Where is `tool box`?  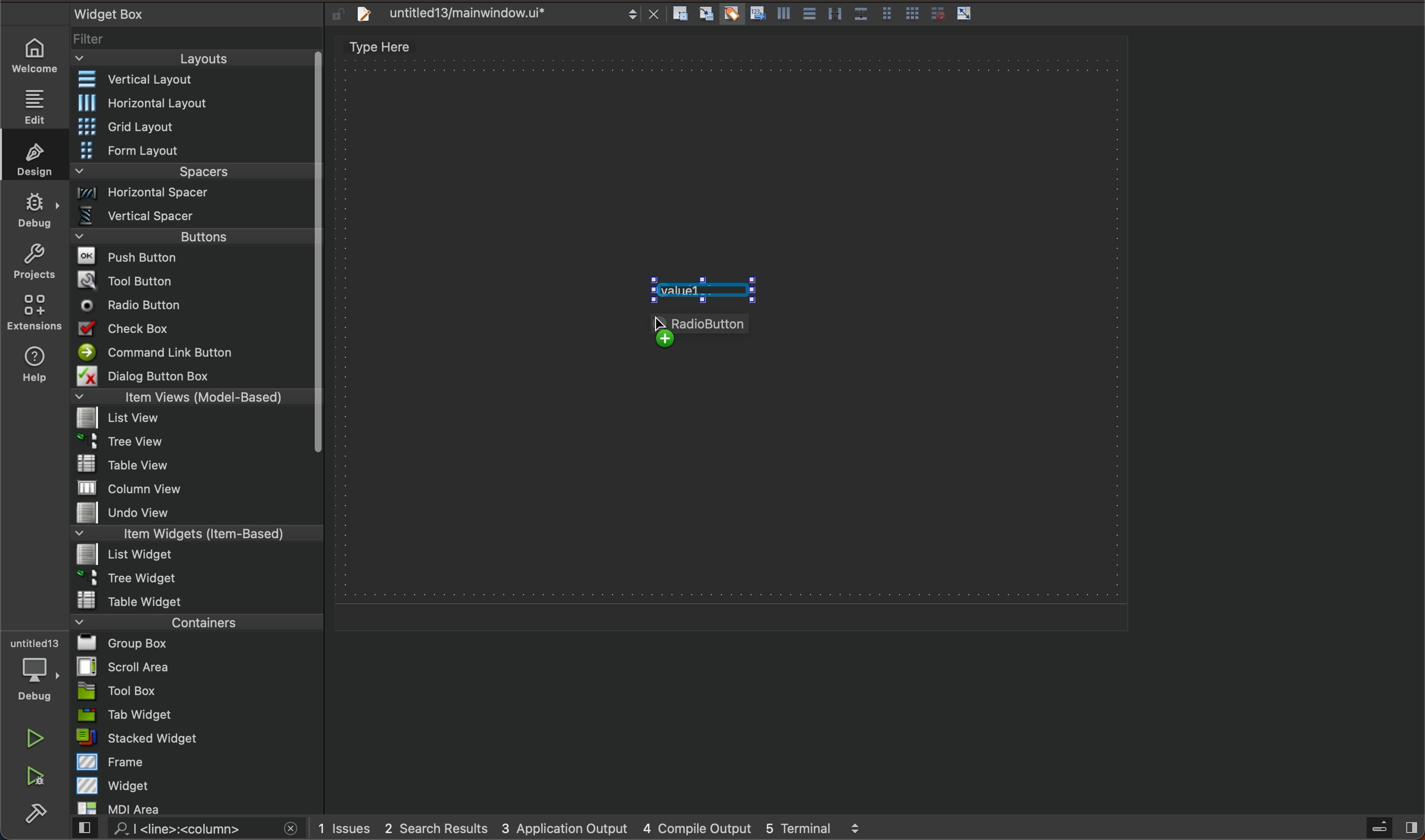 tool box is located at coordinates (197, 691).